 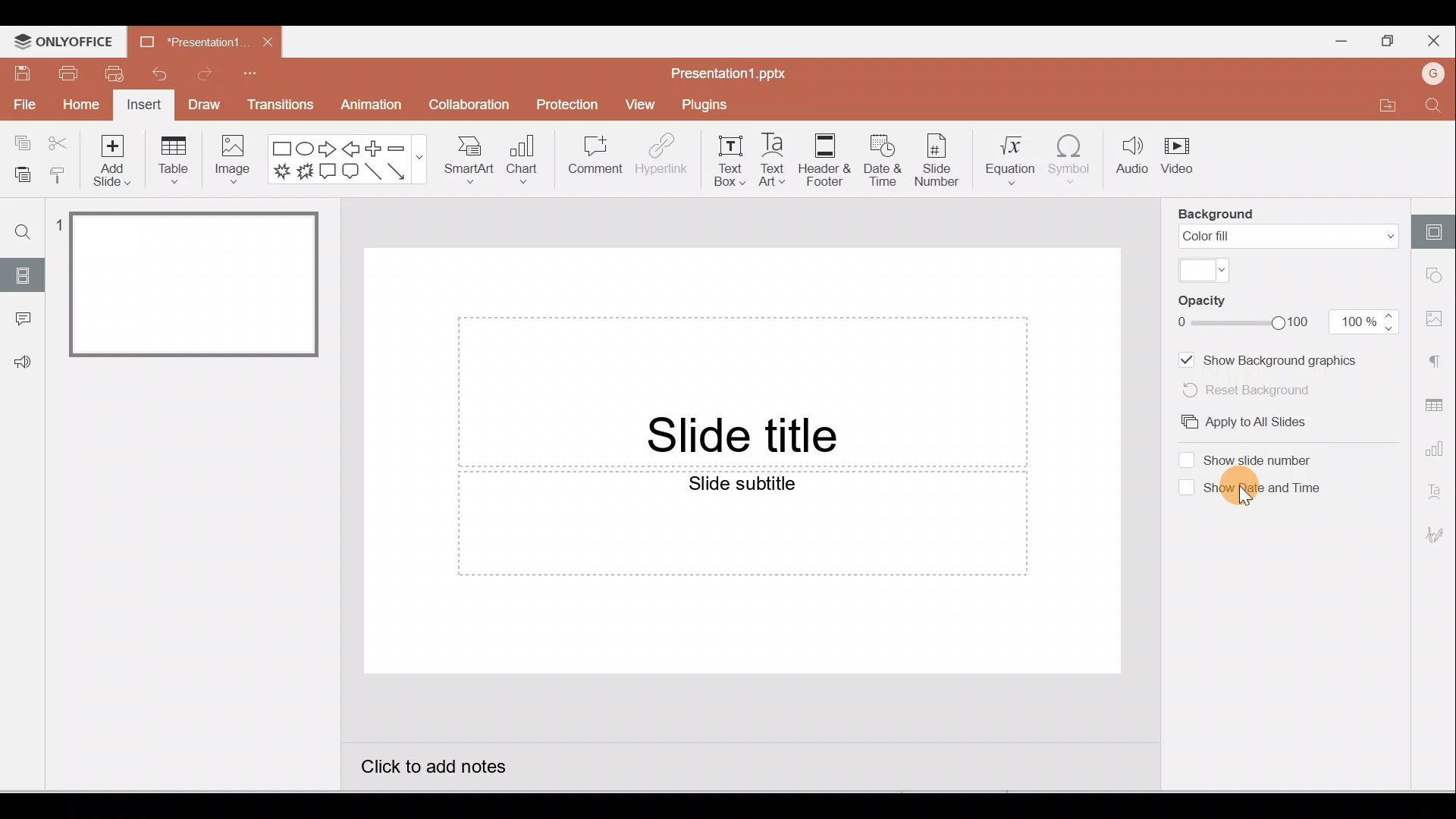 I want to click on Audio, so click(x=1131, y=159).